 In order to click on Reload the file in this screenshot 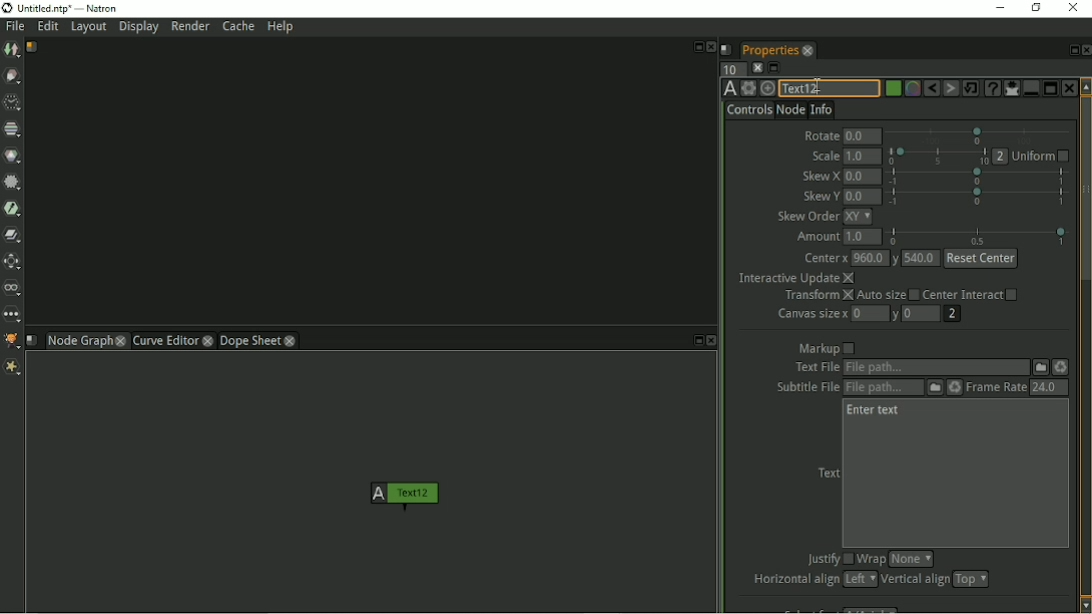, I will do `click(1062, 367)`.